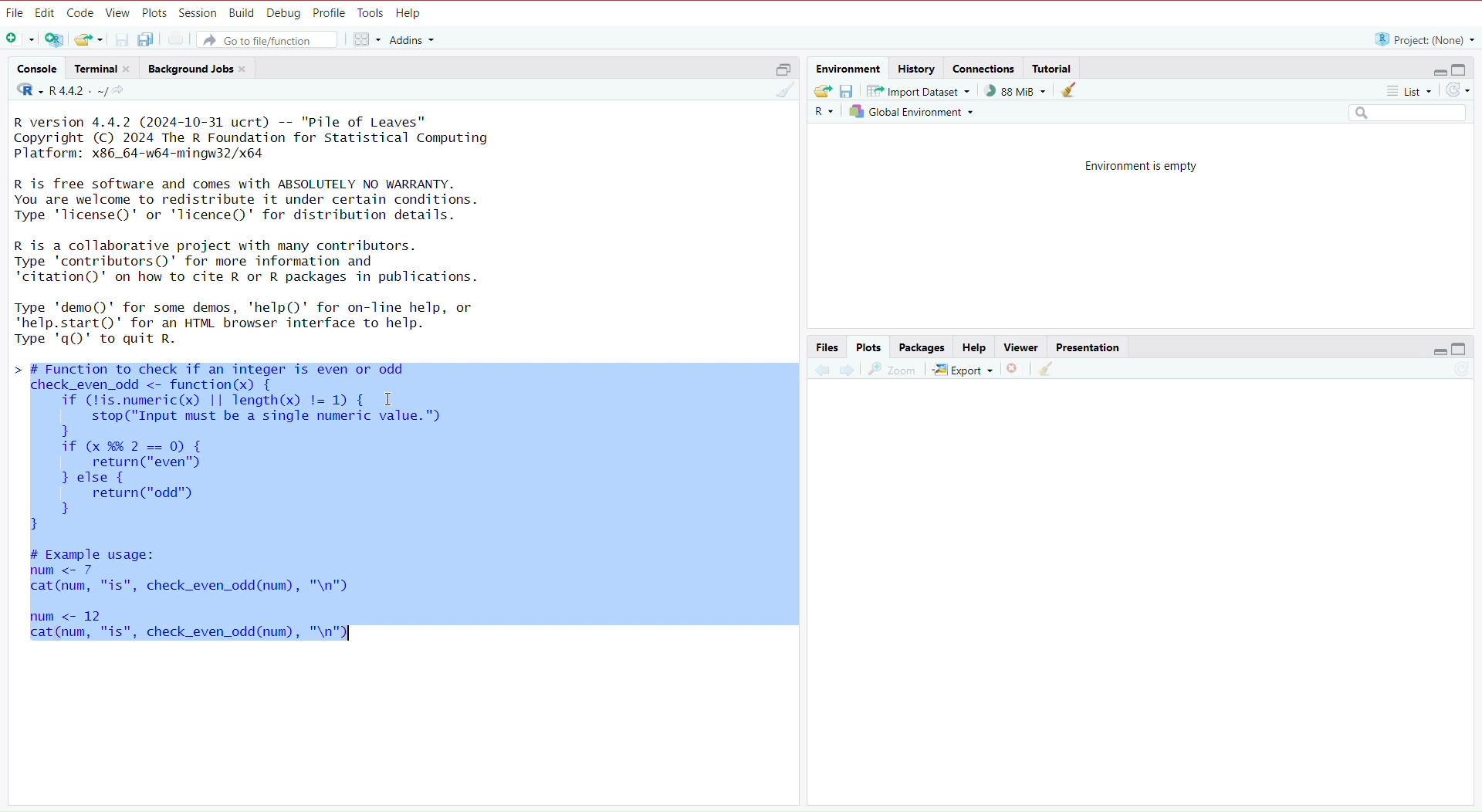 The image size is (1482, 812). What do you see at coordinates (911, 111) in the screenshot?
I see `global environment` at bounding box center [911, 111].